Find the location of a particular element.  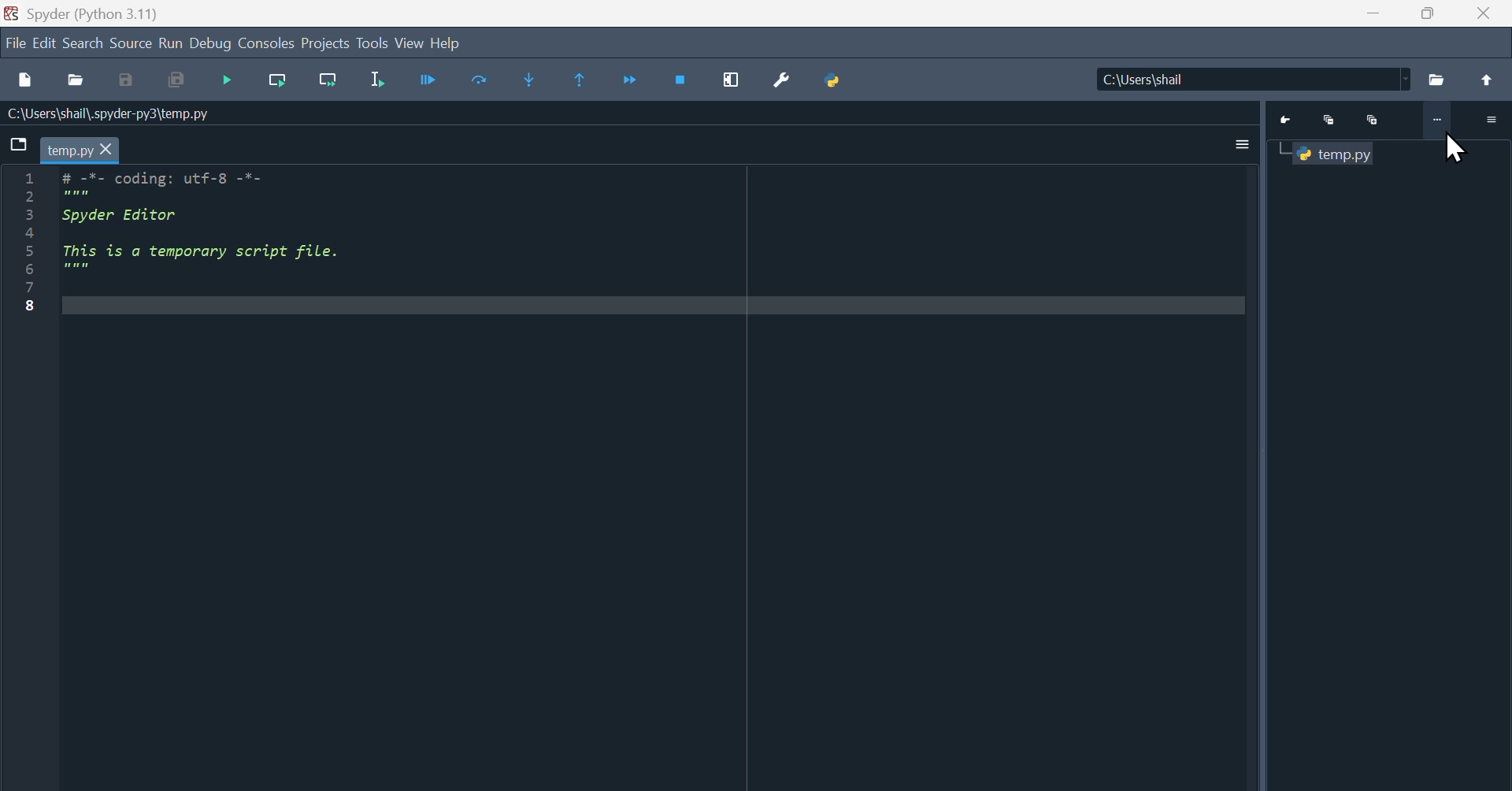

Save as is located at coordinates (126, 81).